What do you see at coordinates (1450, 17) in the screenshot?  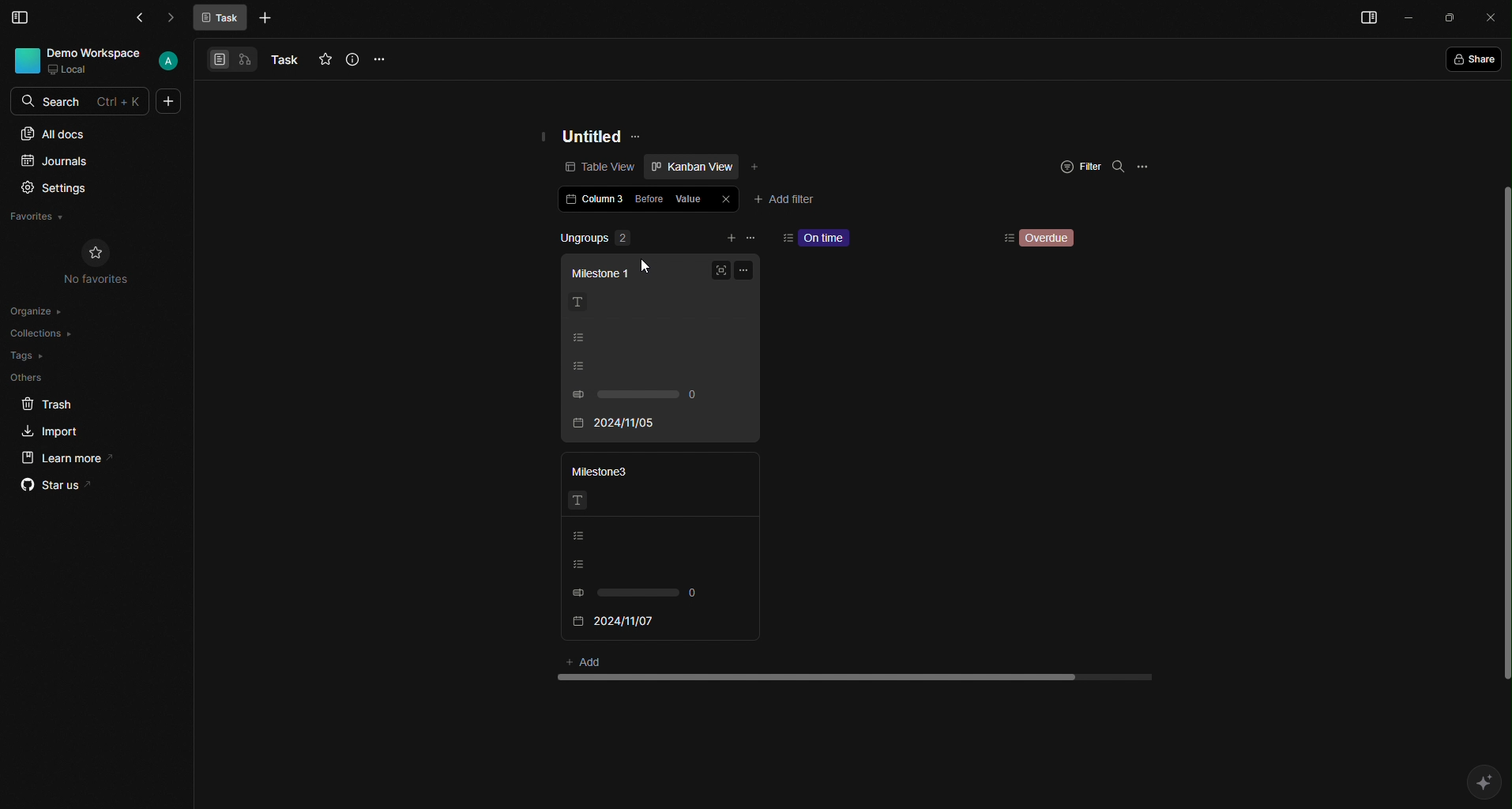 I see `Box` at bounding box center [1450, 17].